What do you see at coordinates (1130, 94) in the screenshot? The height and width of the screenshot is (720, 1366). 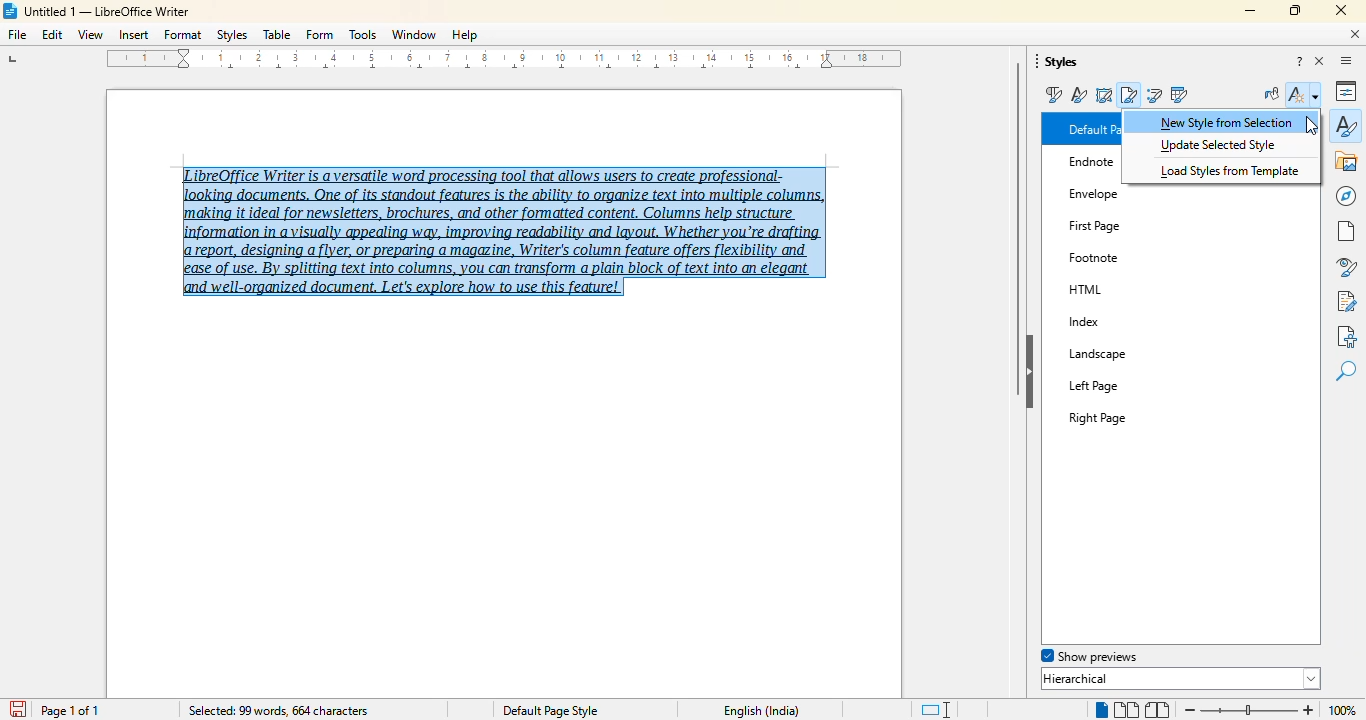 I see `page styles` at bounding box center [1130, 94].